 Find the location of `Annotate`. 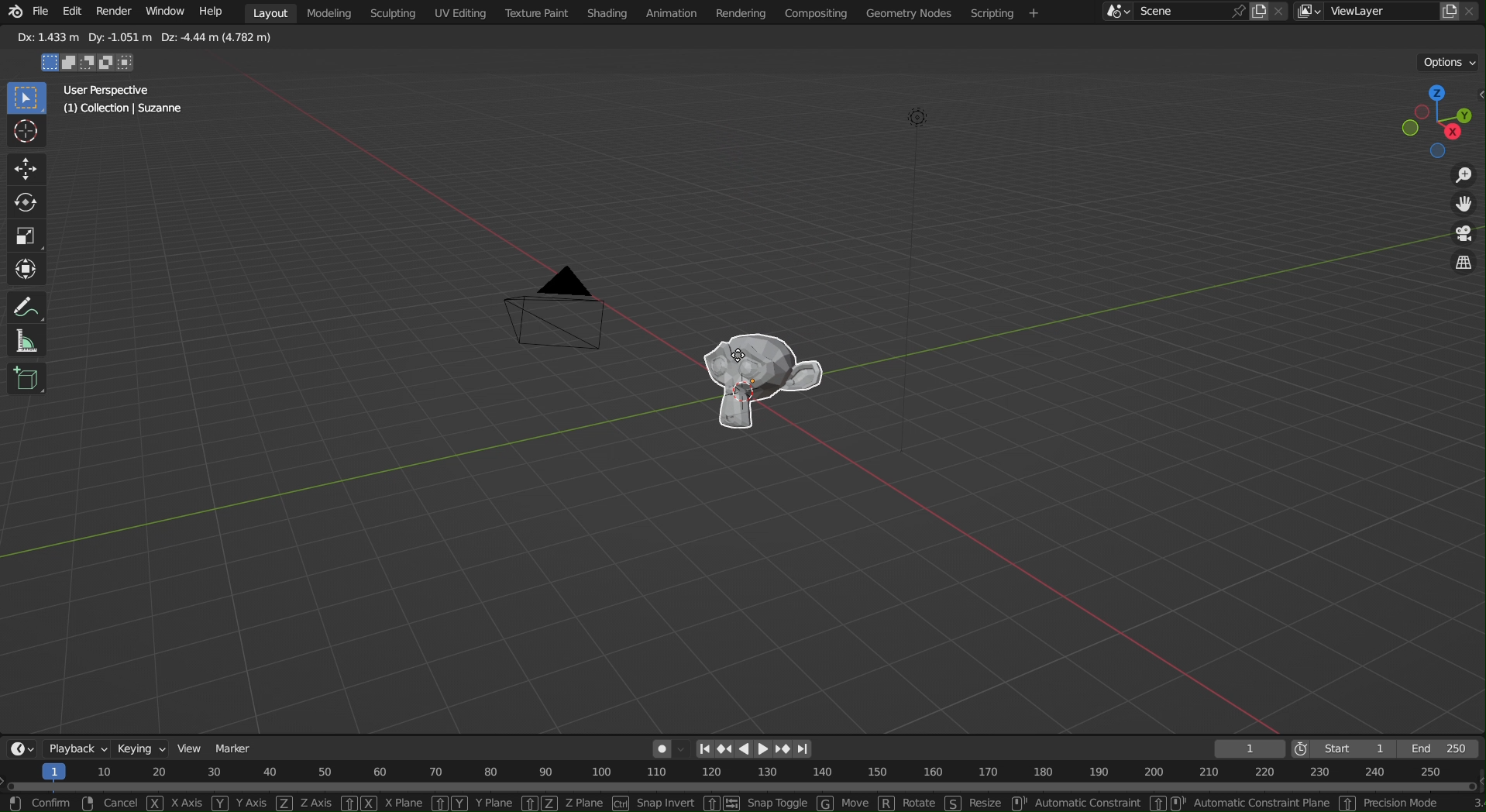

Annotate is located at coordinates (28, 306).